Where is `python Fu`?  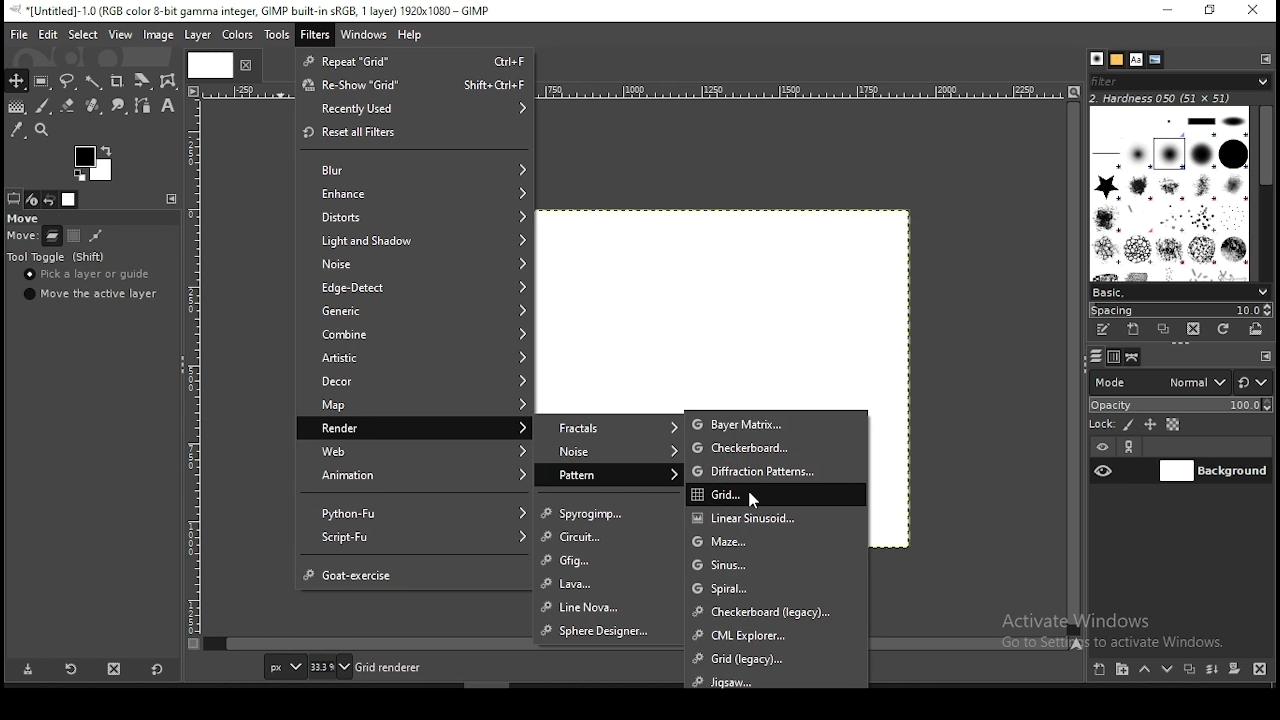
python Fu is located at coordinates (415, 512).